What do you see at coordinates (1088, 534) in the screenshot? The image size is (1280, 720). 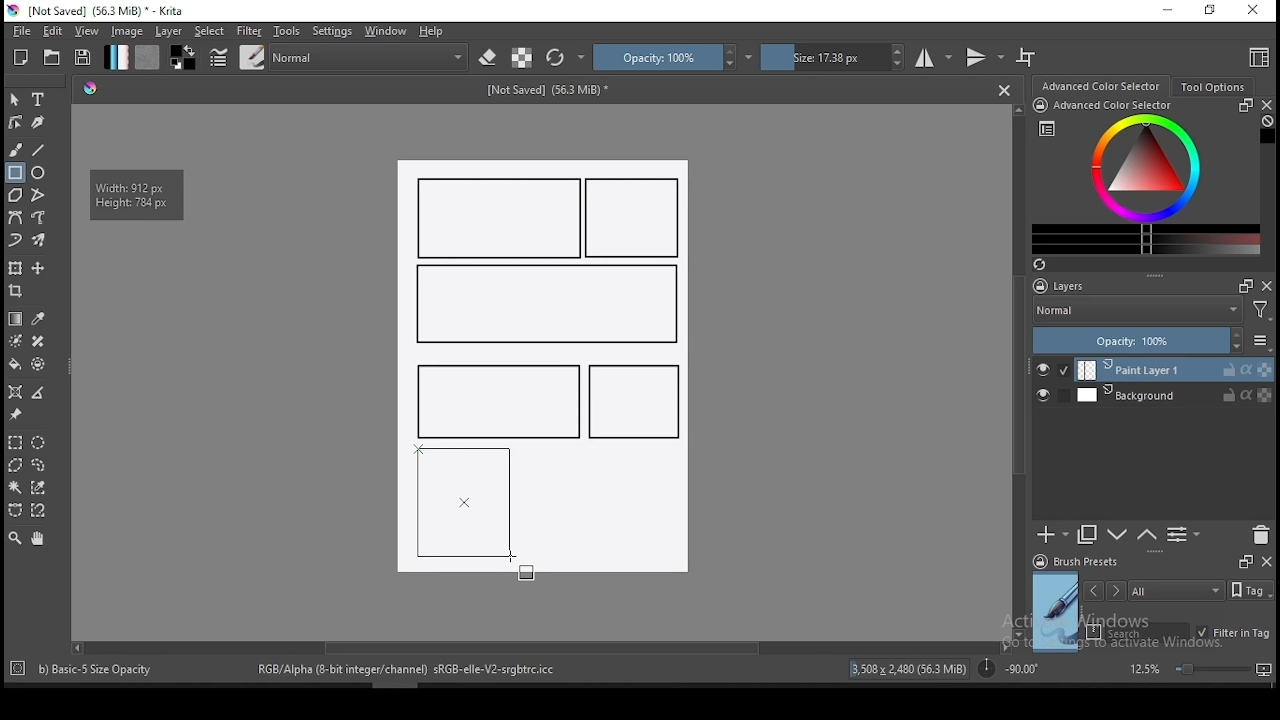 I see `duplicate layer` at bounding box center [1088, 534].